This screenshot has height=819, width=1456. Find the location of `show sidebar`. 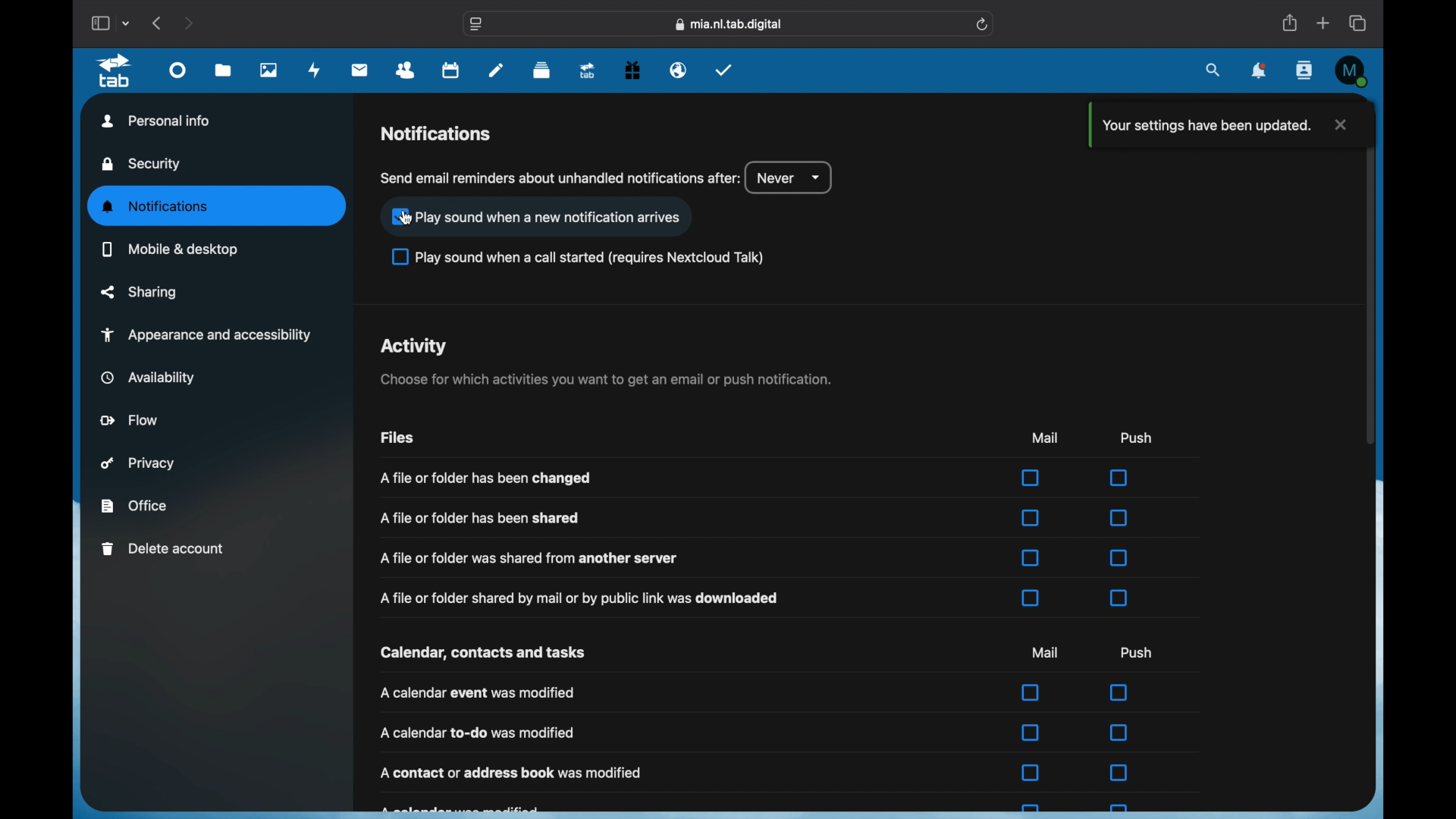

show sidebar is located at coordinates (99, 24).